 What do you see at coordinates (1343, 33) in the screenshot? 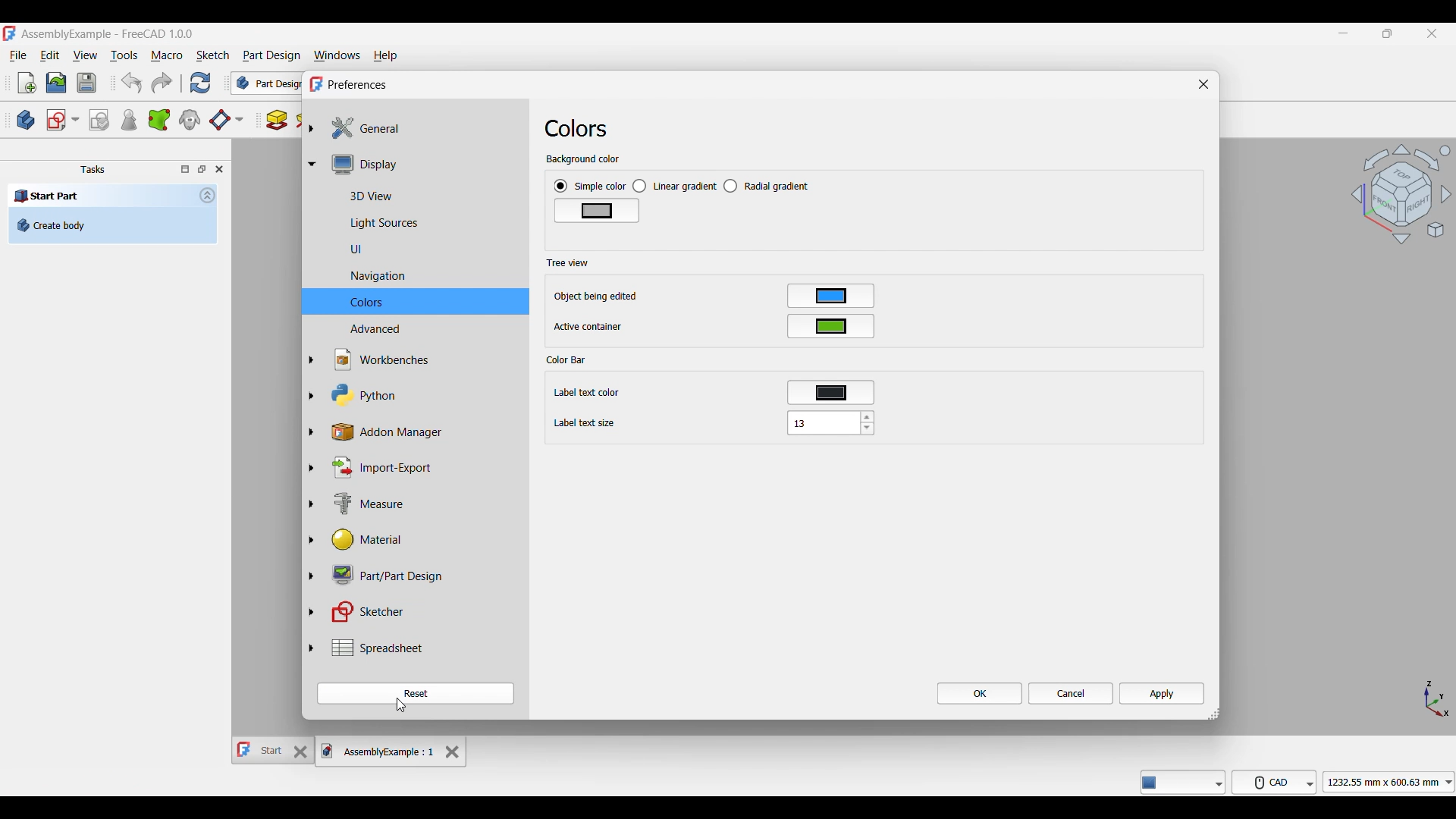
I see `Minimize` at bounding box center [1343, 33].